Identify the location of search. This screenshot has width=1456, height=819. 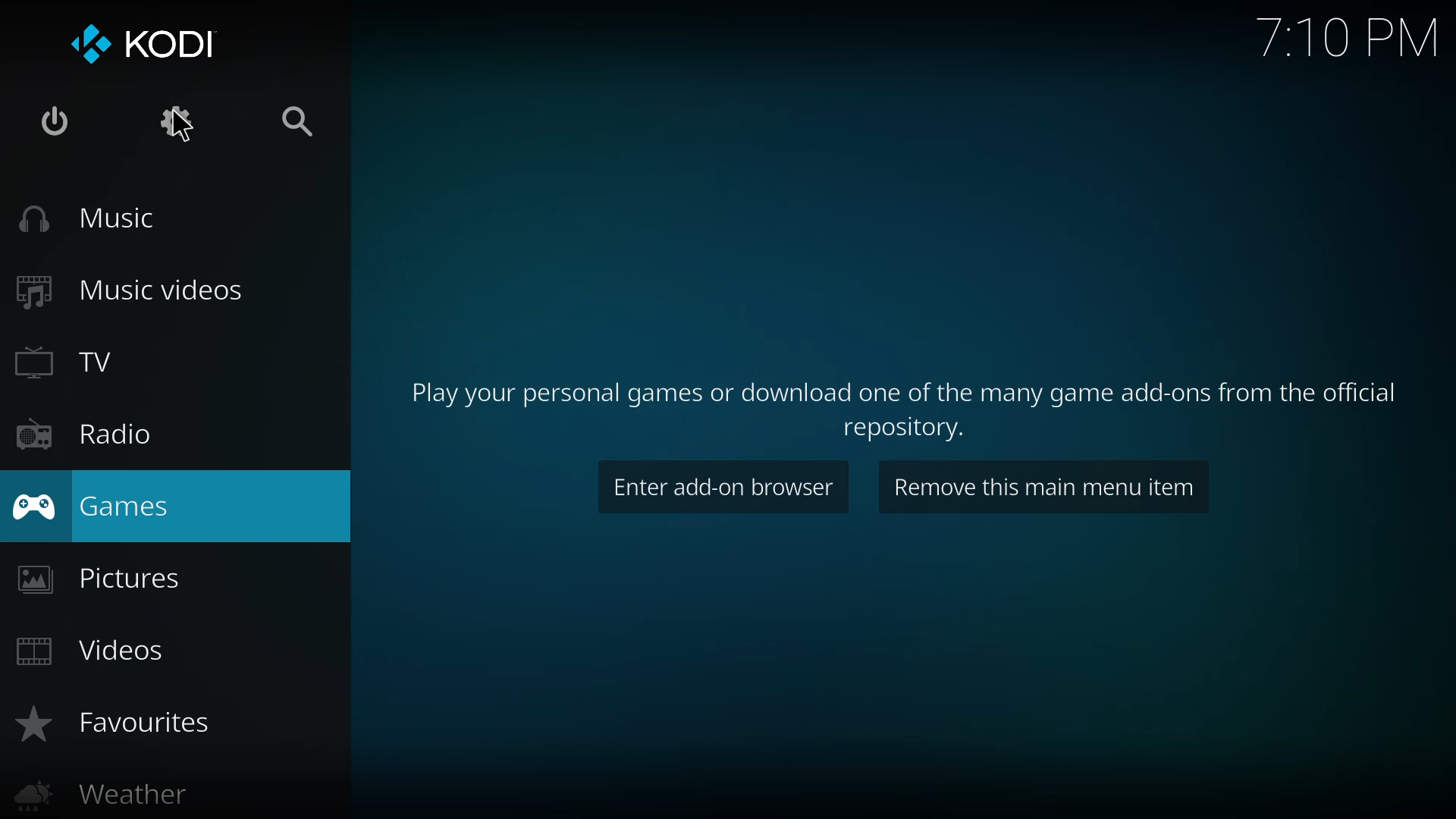
(296, 124).